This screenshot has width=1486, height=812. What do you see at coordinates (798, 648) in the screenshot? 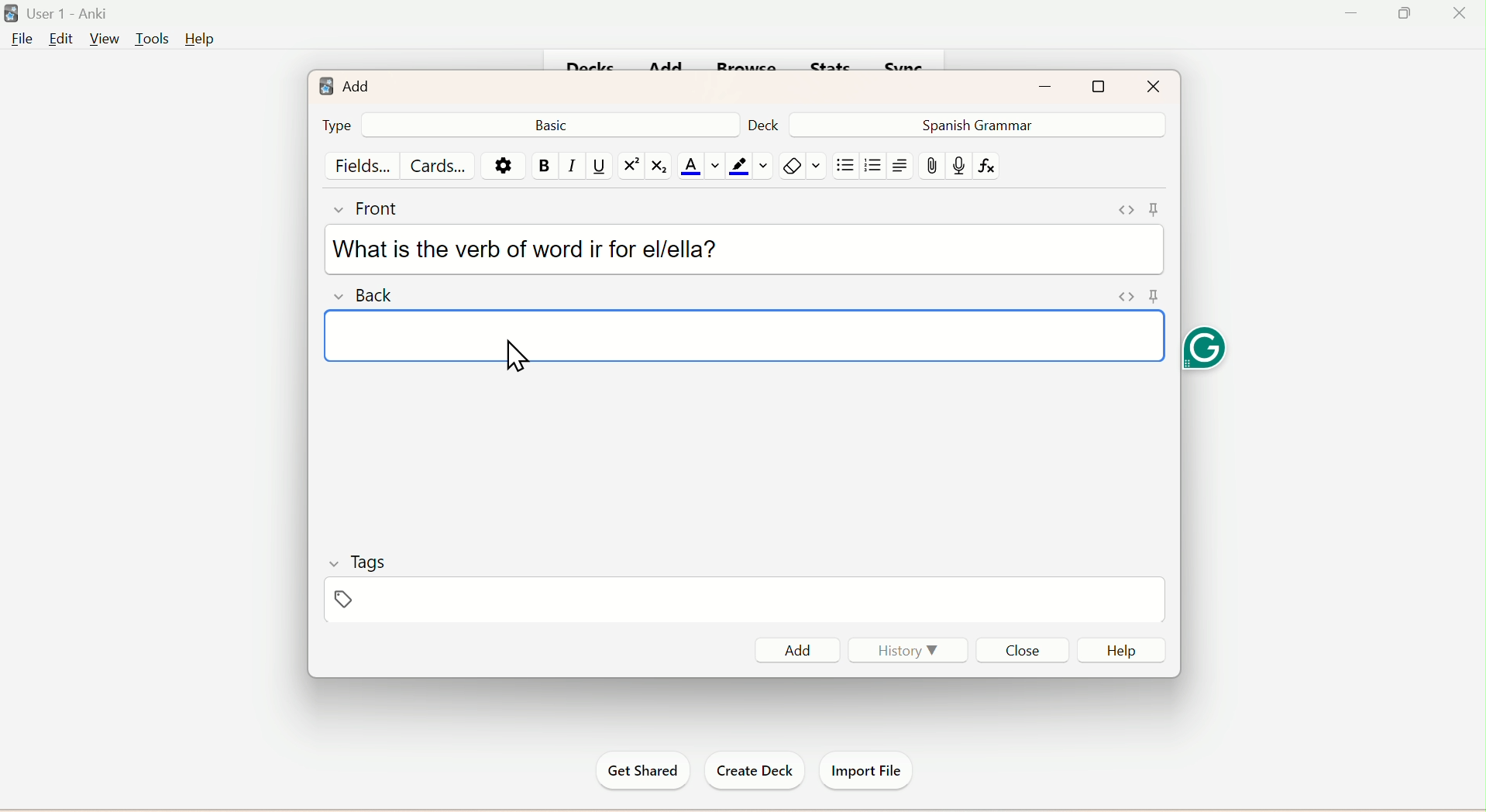
I see `Add` at bounding box center [798, 648].